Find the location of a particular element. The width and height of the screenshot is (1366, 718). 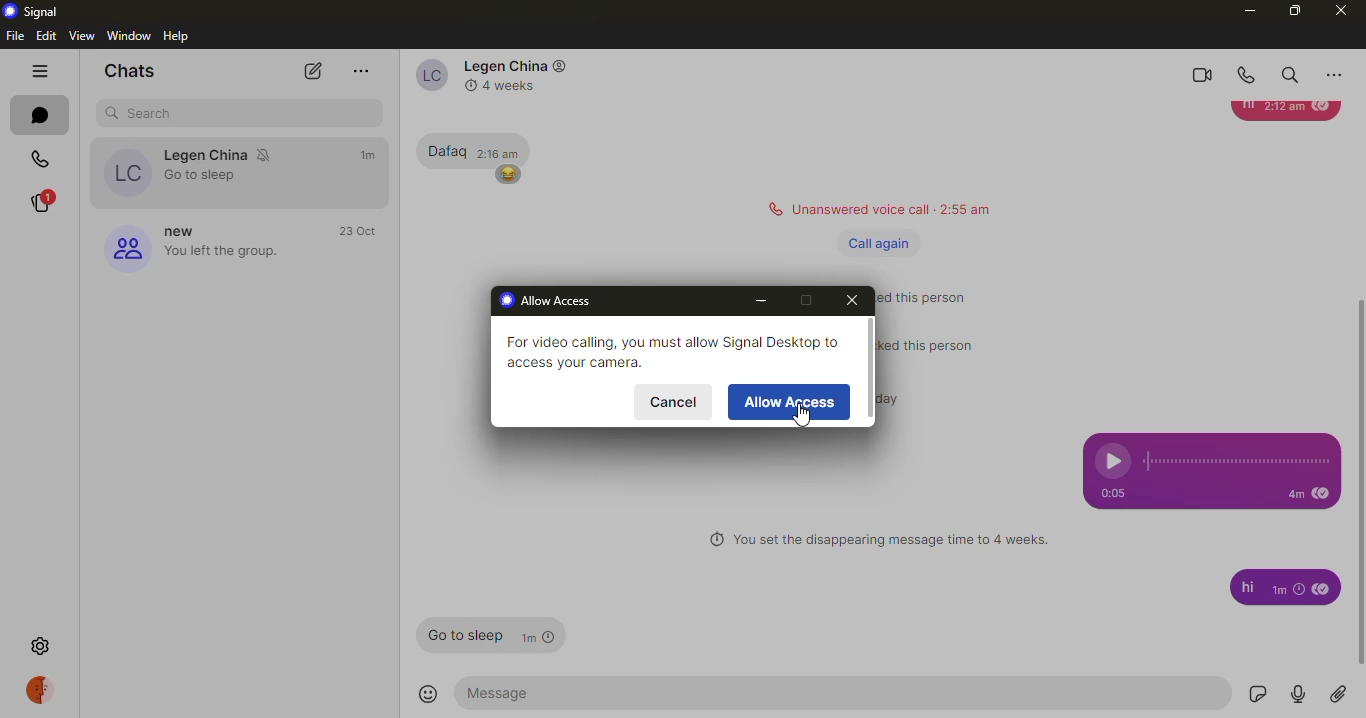

edit is located at coordinates (46, 35).